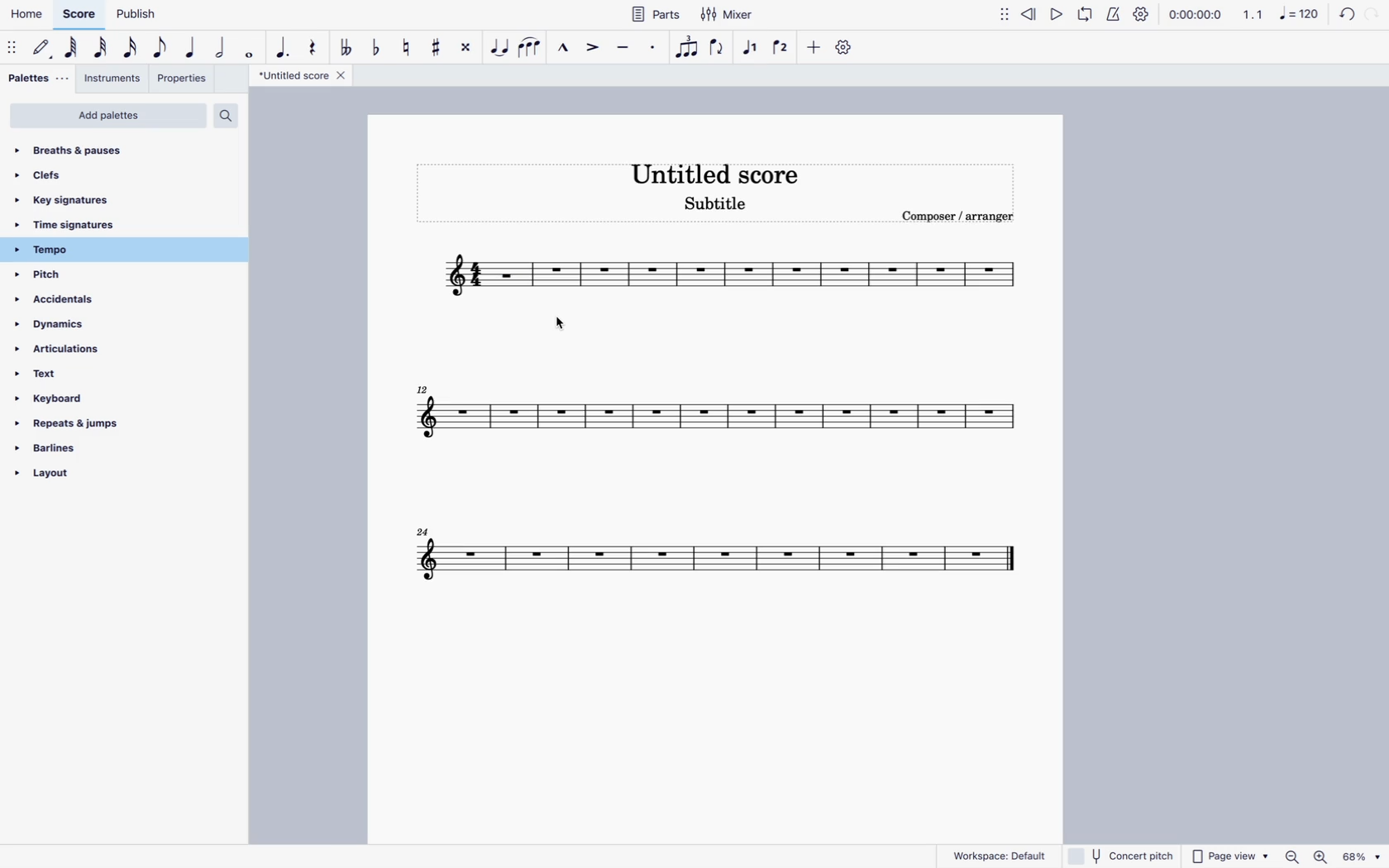  I want to click on parts, so click(648, 17).